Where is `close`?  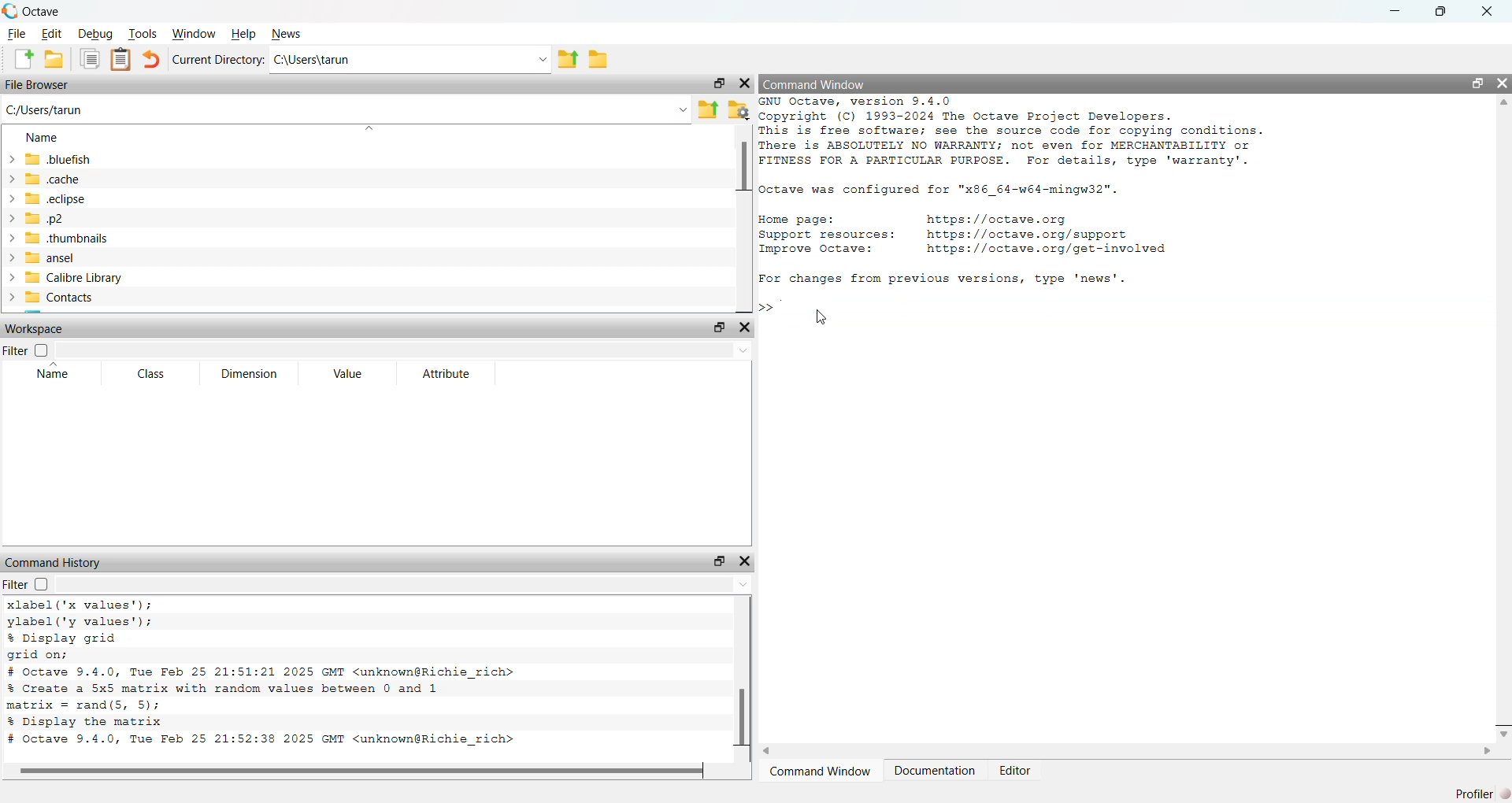
close is located at coordinates (1502, 84).